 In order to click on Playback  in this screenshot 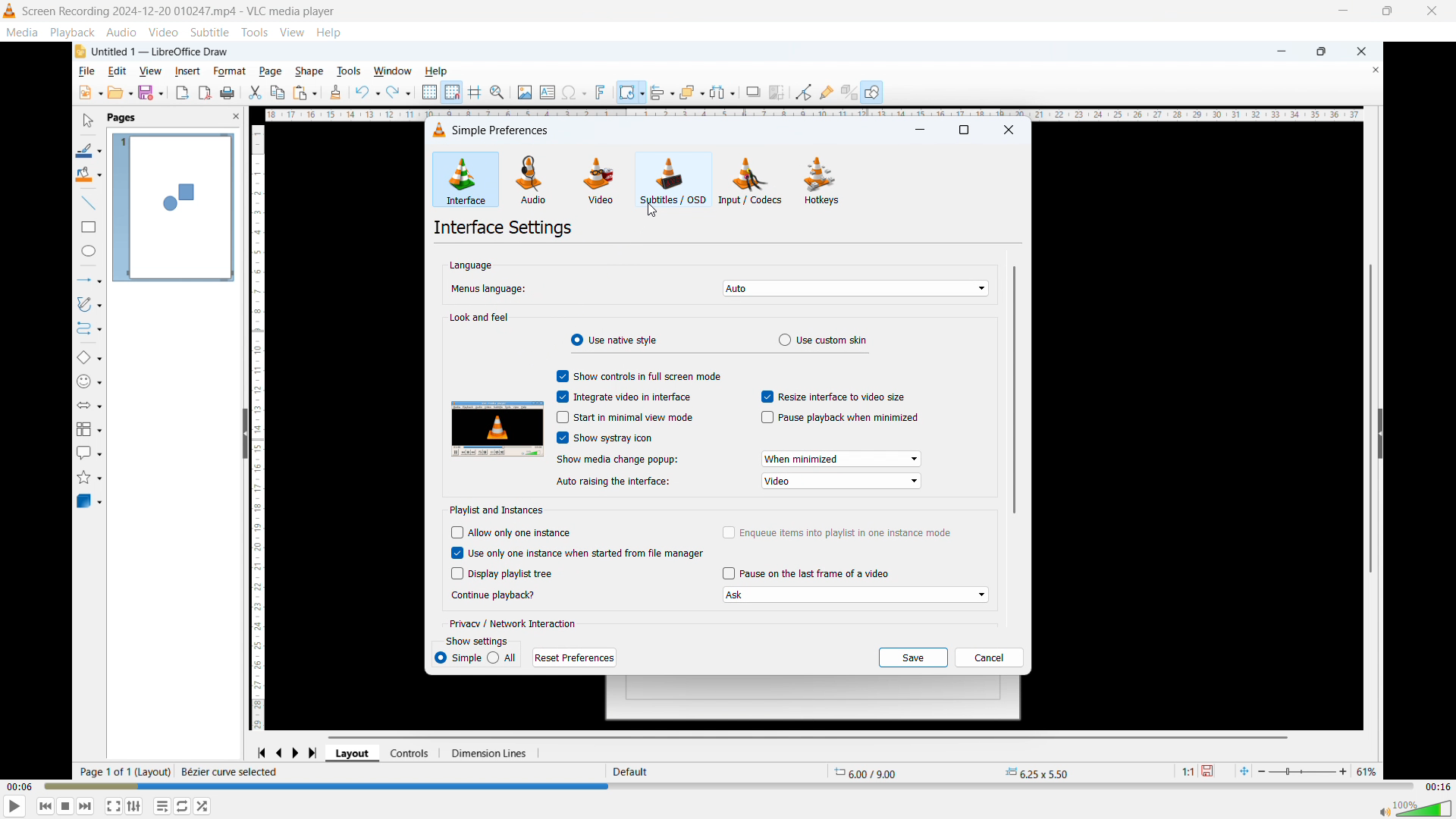, I will do `click(74, 33)`.